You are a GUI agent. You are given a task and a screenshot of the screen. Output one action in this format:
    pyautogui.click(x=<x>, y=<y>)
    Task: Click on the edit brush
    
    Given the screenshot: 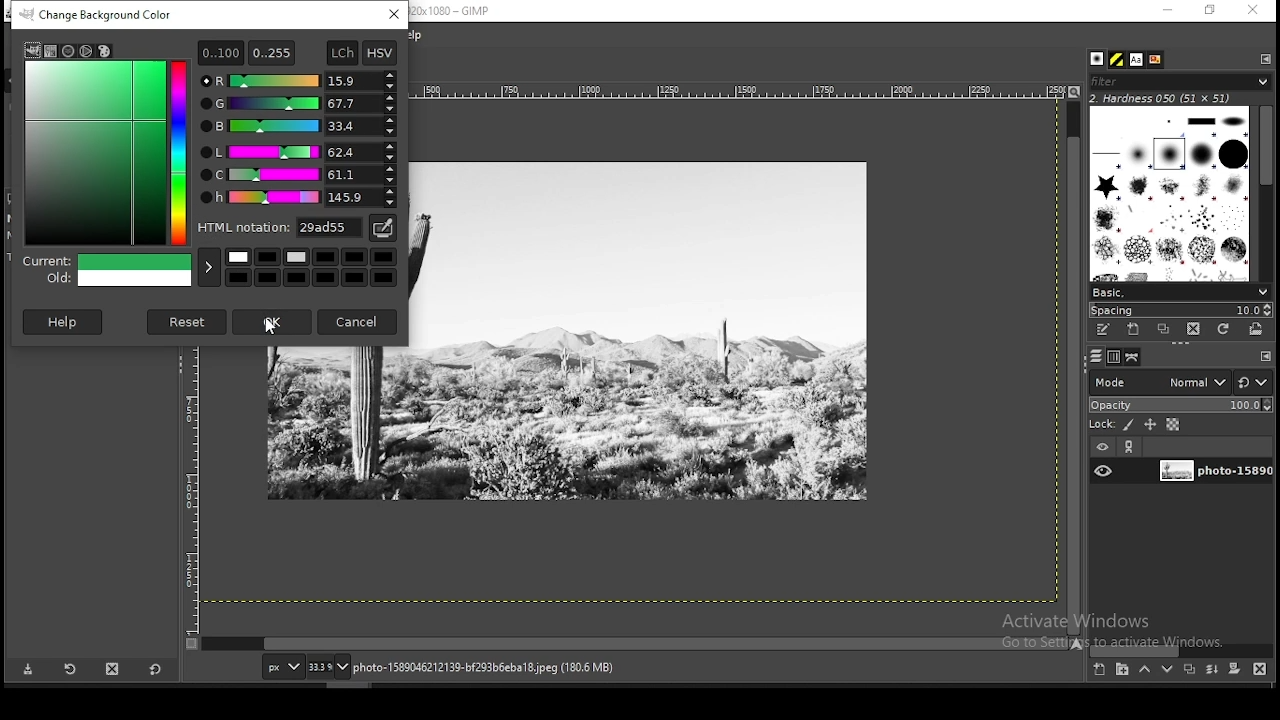 What is the action you would take?
    pyautogui.click(x=1105, y=330)
    